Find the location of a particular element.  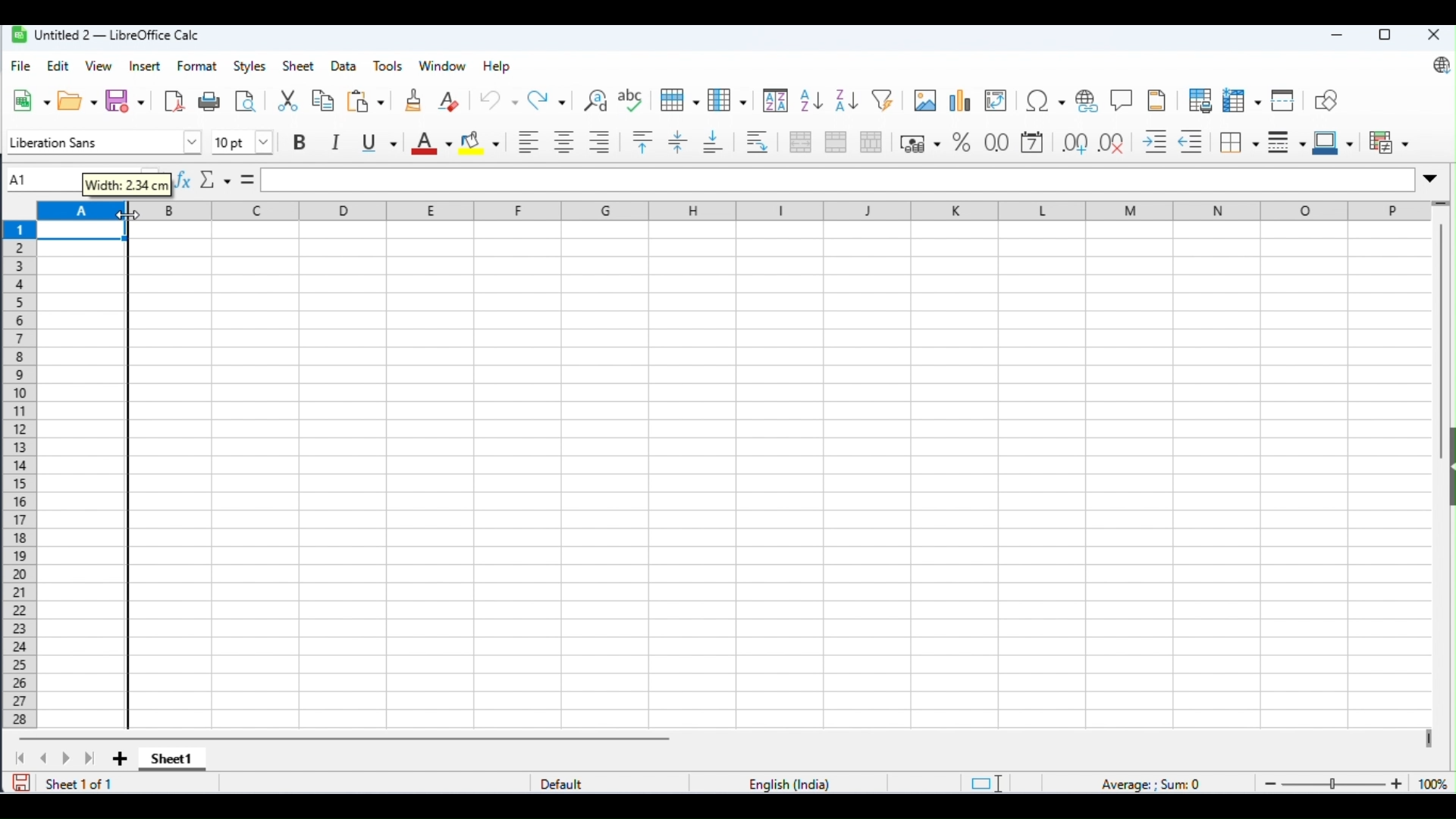

zoom is located at coordinates (1352, 782).